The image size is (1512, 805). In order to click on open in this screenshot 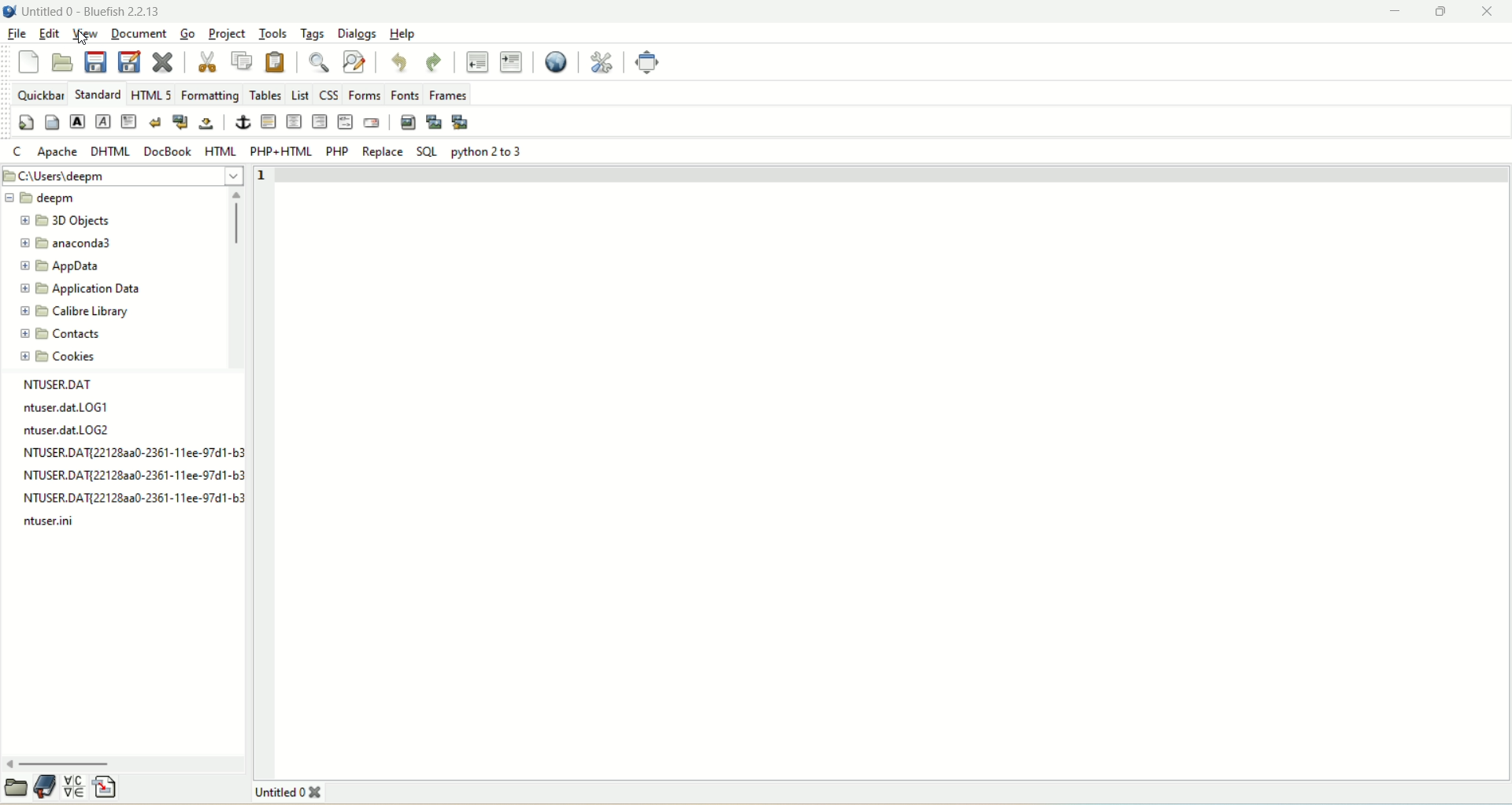, I will do `click(63, 61)`.